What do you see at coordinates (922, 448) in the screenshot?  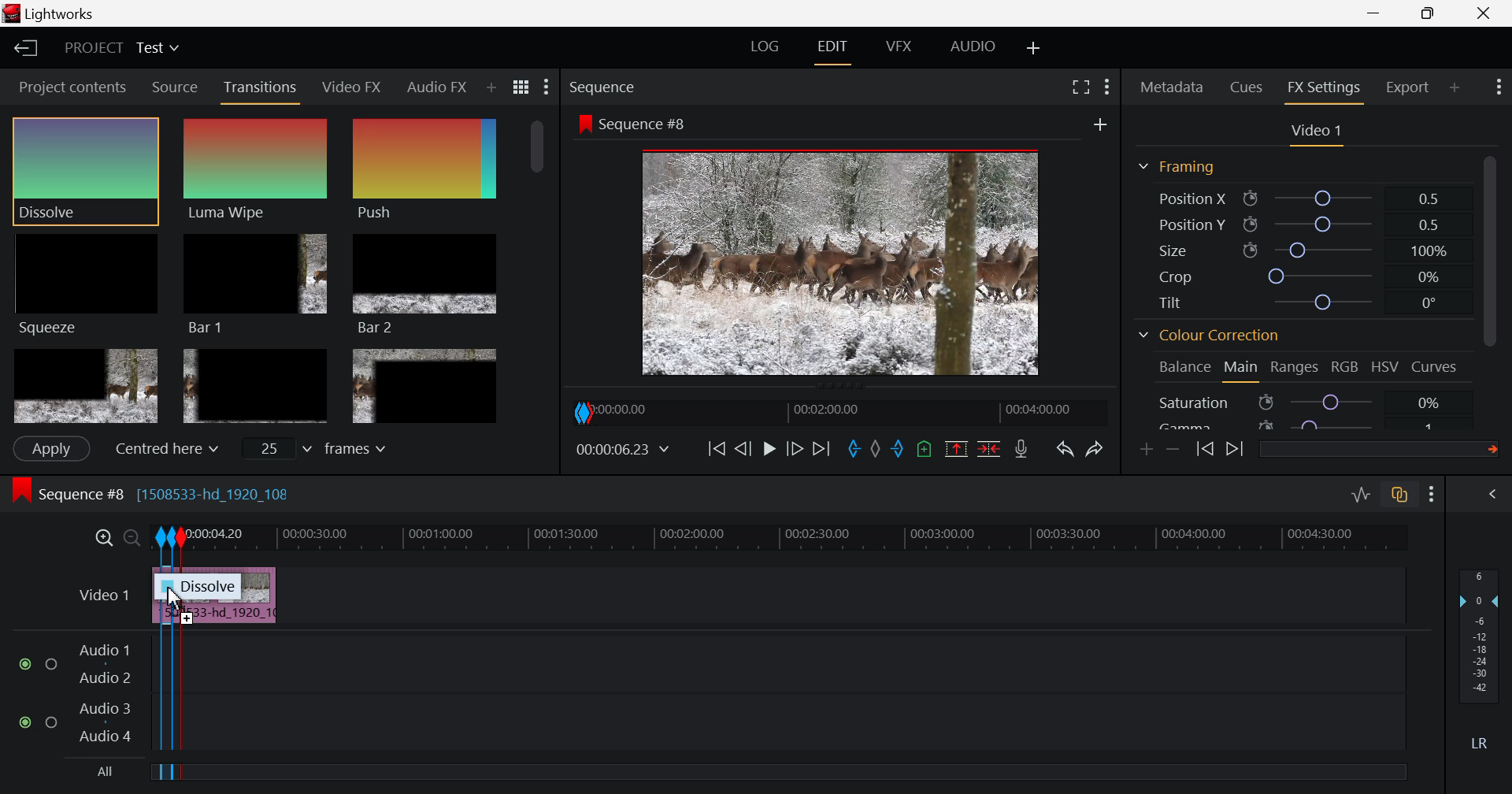 I see `Remove all cues` at bounding box center [922, 448].